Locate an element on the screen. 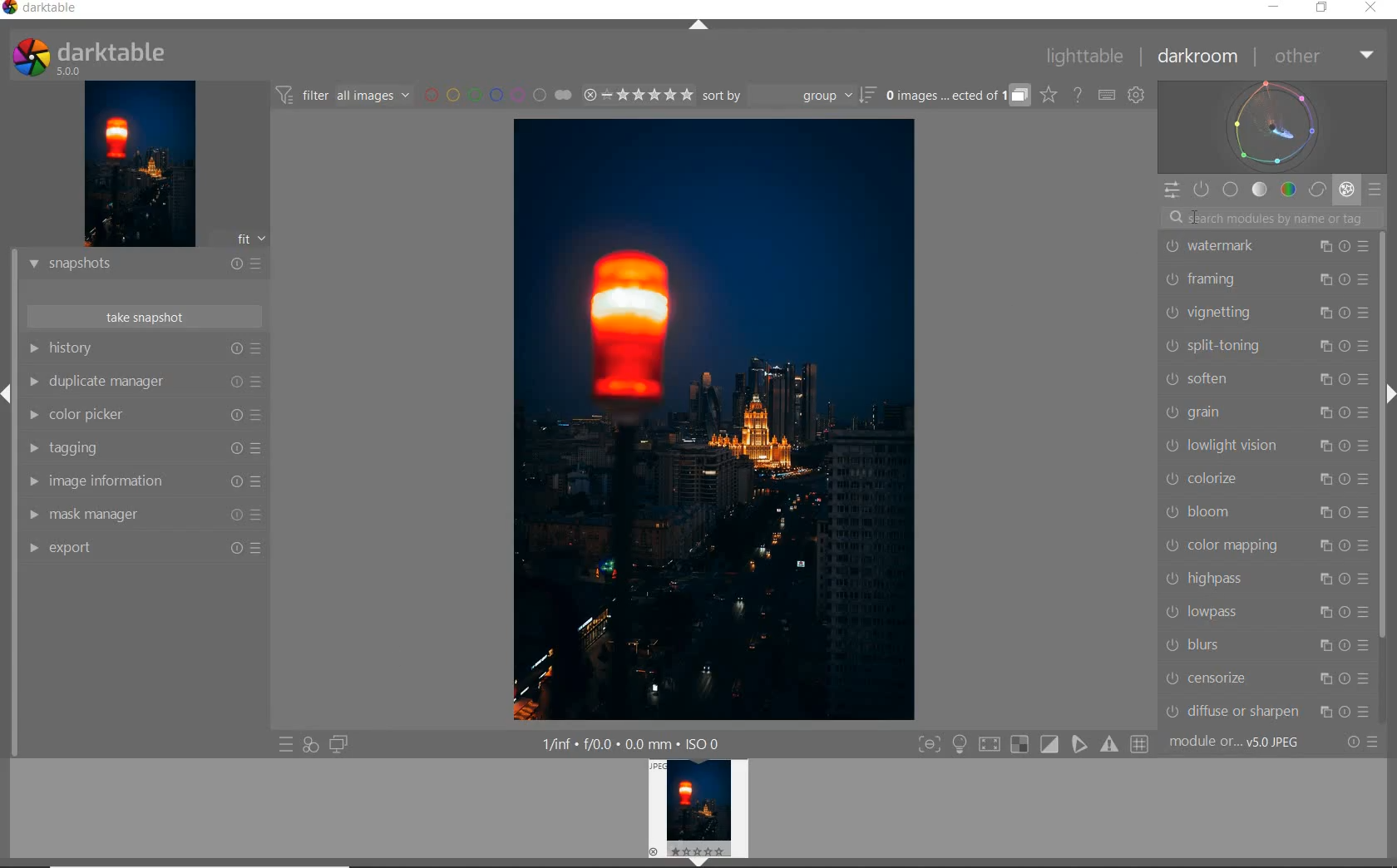 The width and height of the screenshot is (1397, 868). FILTER IMAGES BASED ON THEIR MODULE ORDER is located at coordinates (345, 96).